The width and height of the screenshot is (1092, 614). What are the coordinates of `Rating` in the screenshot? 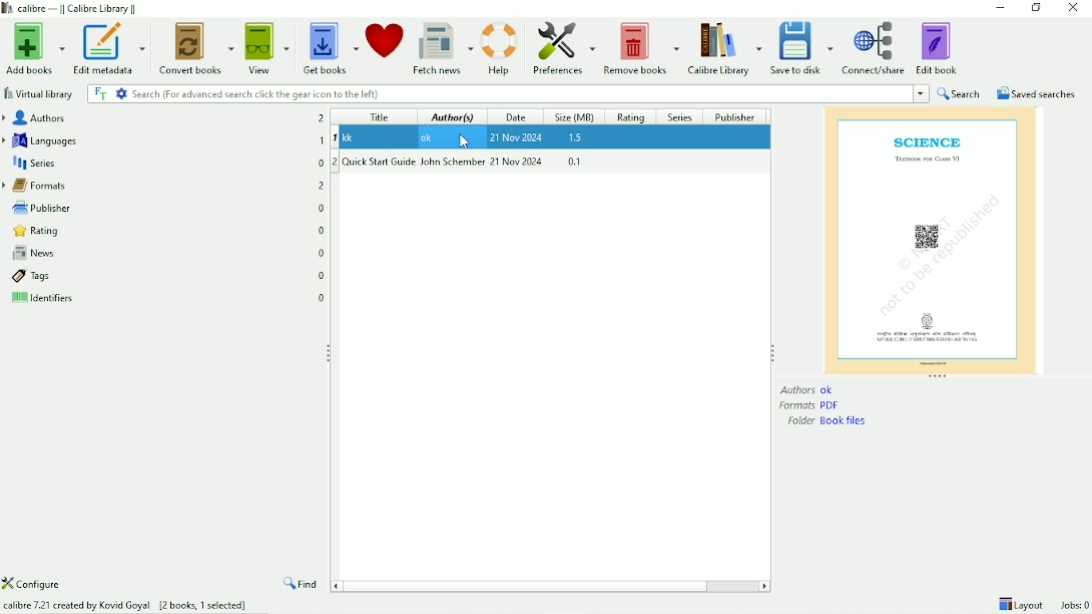 It's located at (165, 232).